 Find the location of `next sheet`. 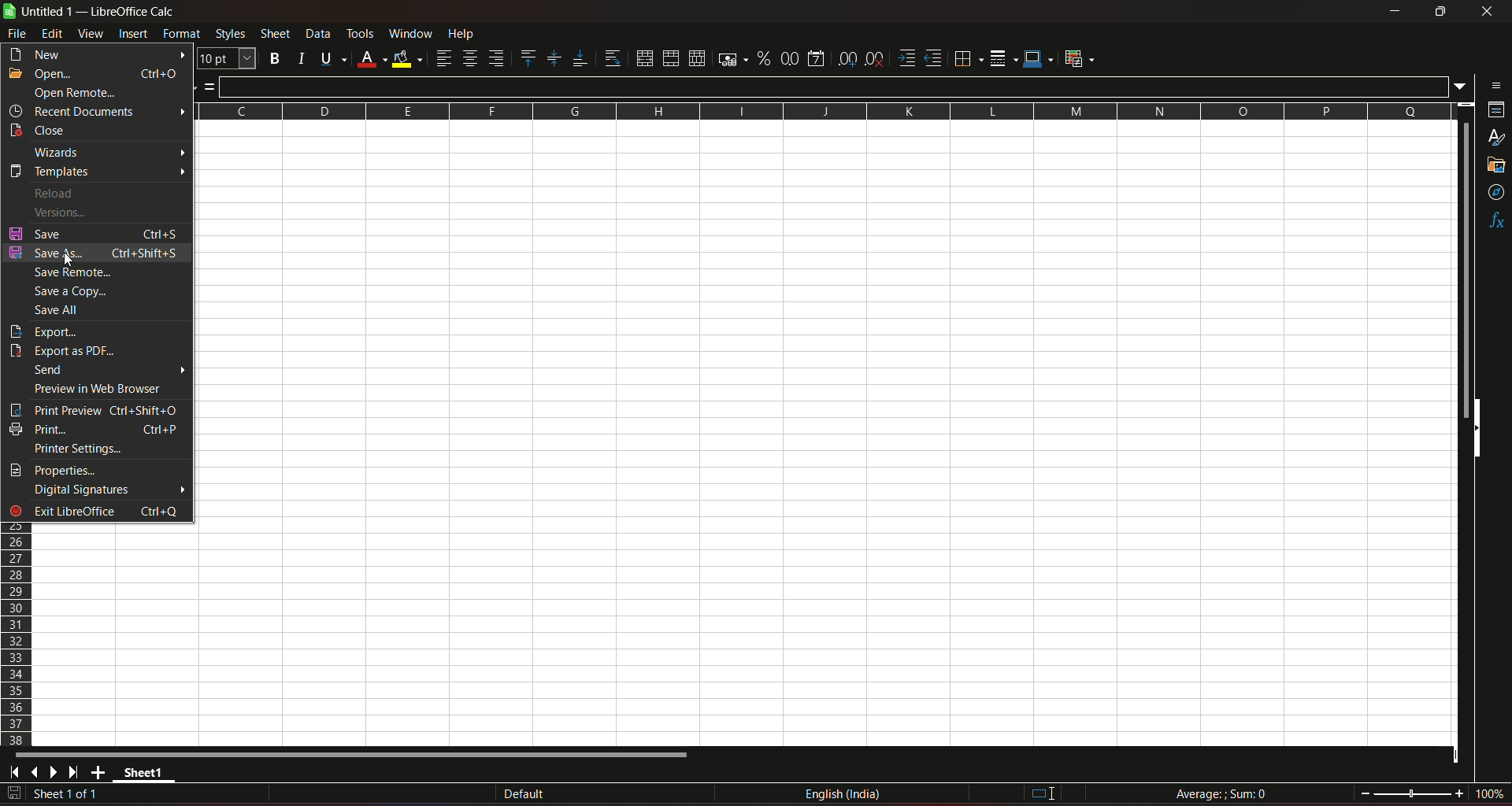

next sheet is located at coordinates (57, 773).